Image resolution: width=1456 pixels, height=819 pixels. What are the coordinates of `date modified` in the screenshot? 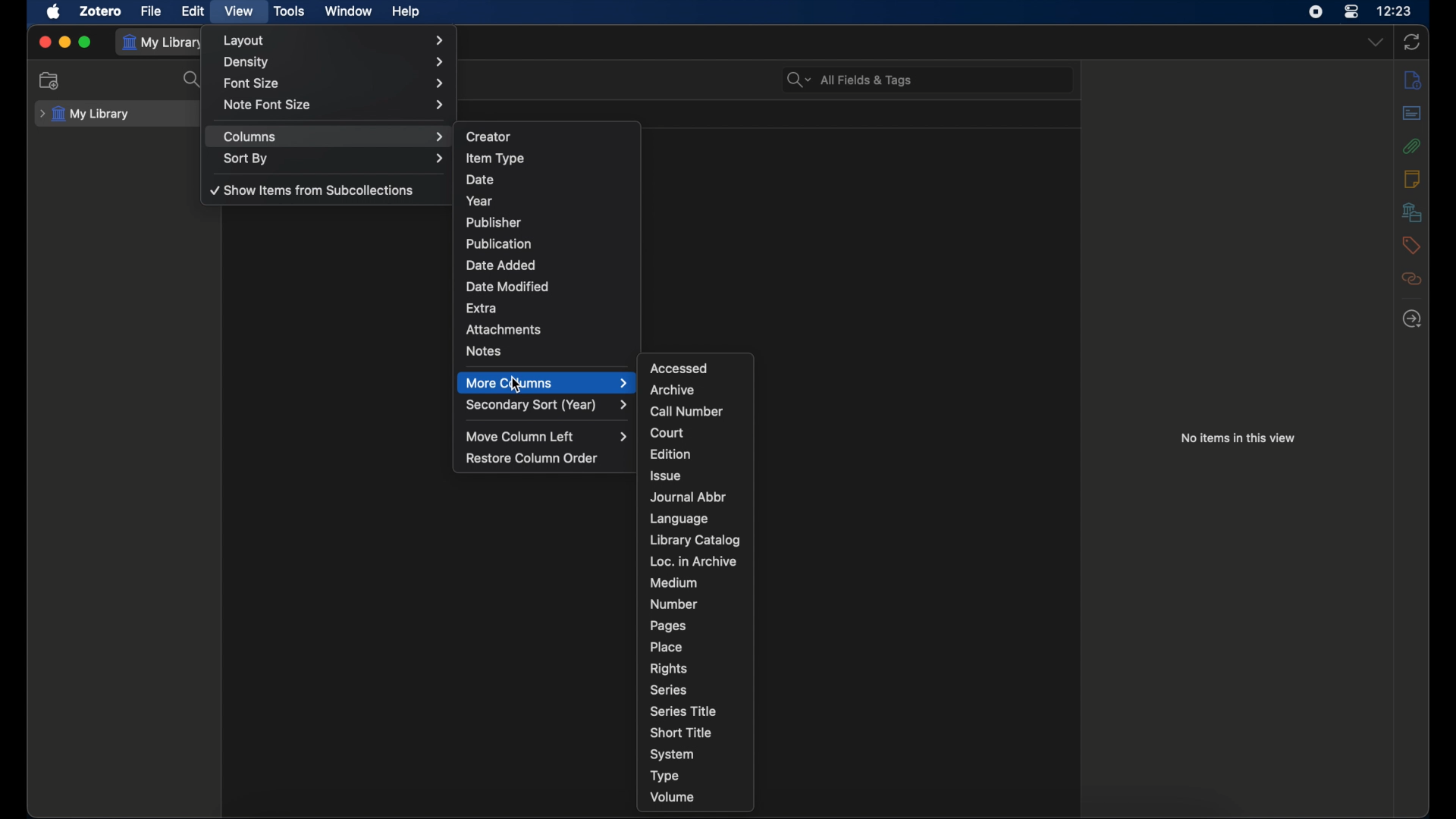 It's located at (506, 287).